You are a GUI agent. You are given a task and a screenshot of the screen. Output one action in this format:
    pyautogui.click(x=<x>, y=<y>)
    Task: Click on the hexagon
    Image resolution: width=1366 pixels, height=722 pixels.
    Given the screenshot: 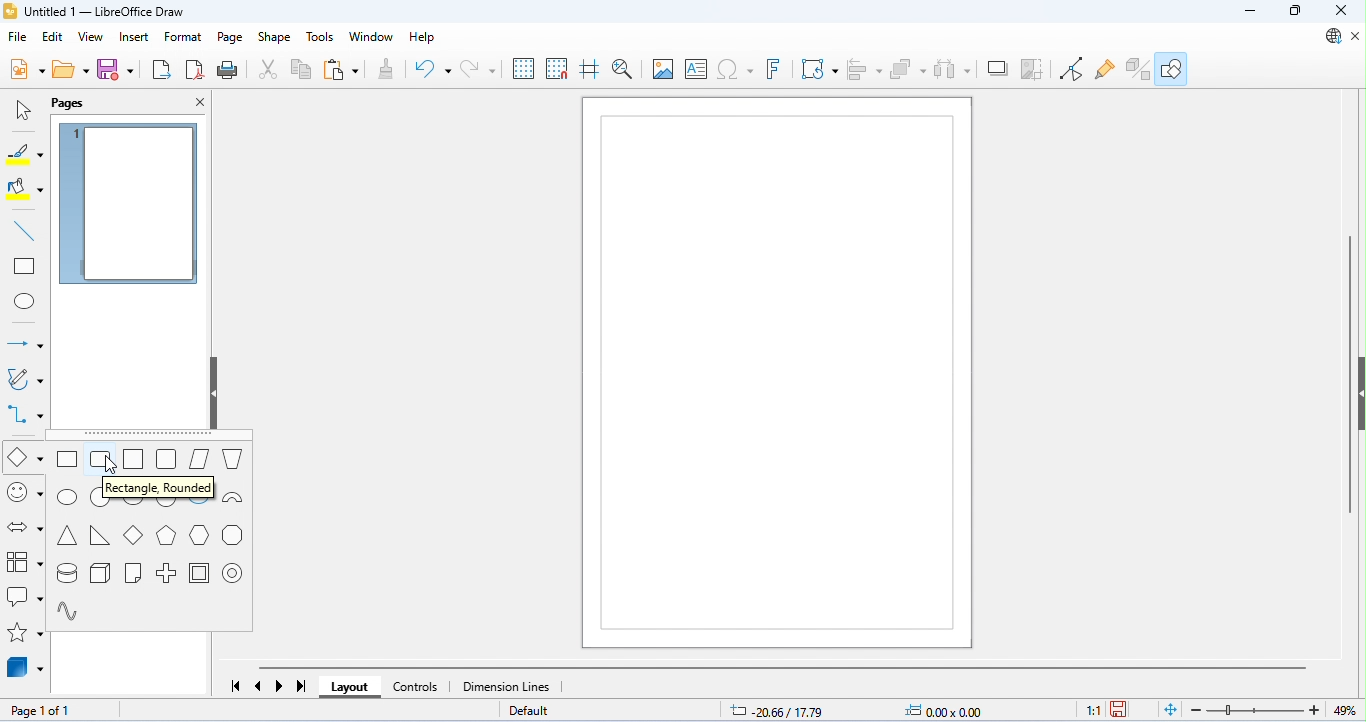 What is the action you would take?
    pyautogui.click(x=199, y=534)
    